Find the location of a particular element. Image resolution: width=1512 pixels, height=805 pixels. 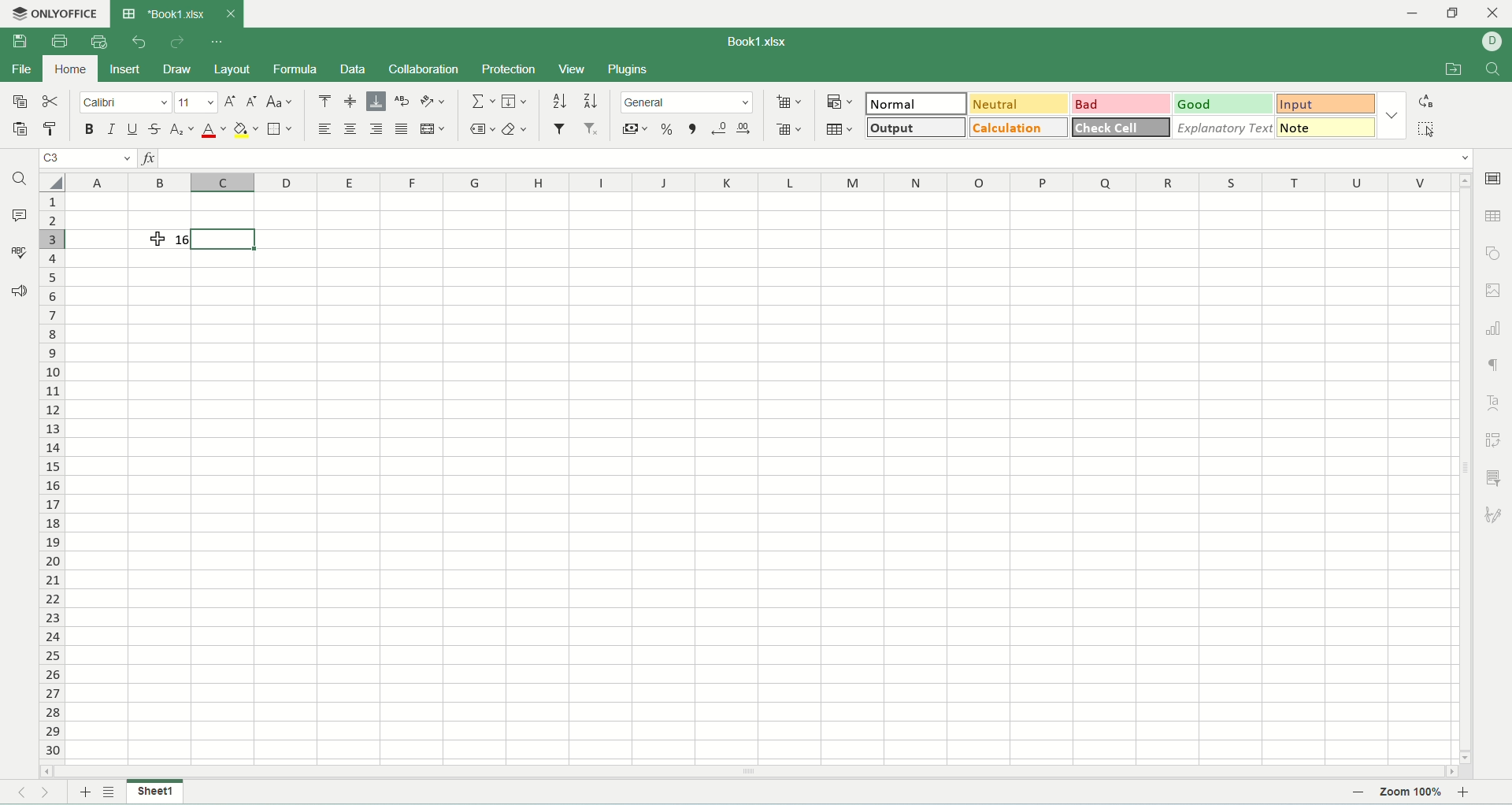

font color is located at coordinates (214, 130).